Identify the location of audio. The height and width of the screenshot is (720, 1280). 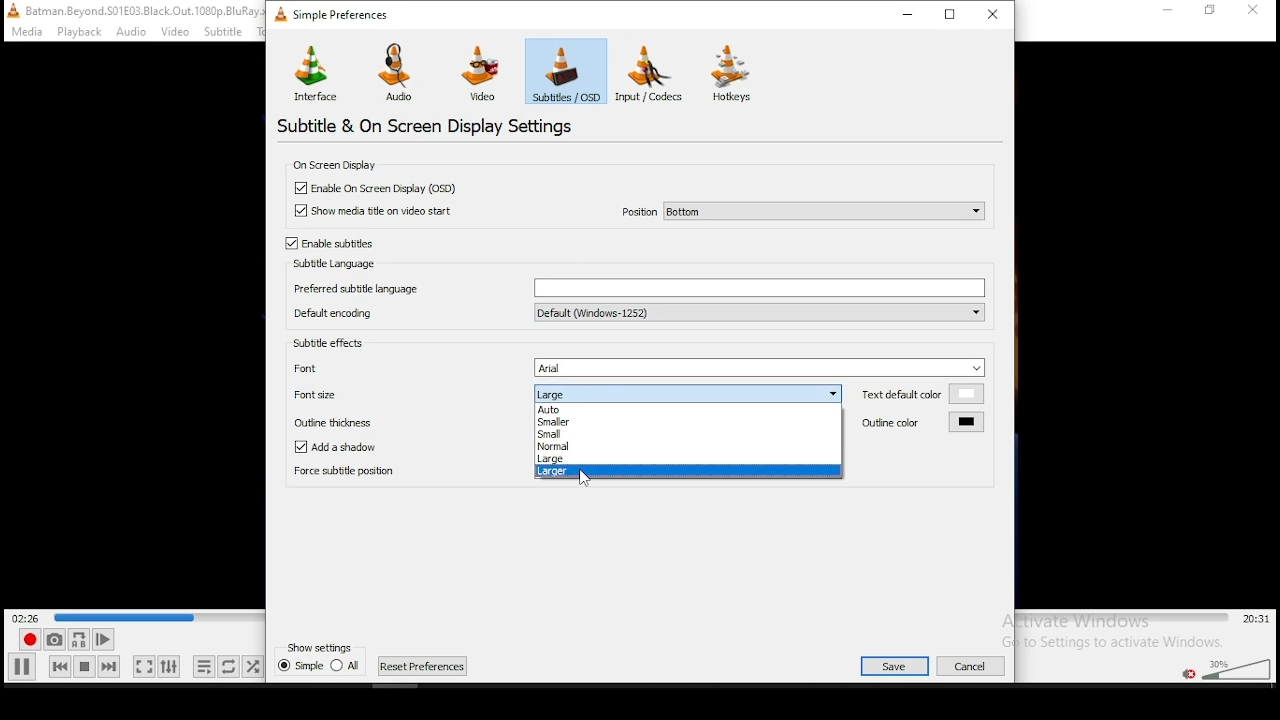
(402, 74).